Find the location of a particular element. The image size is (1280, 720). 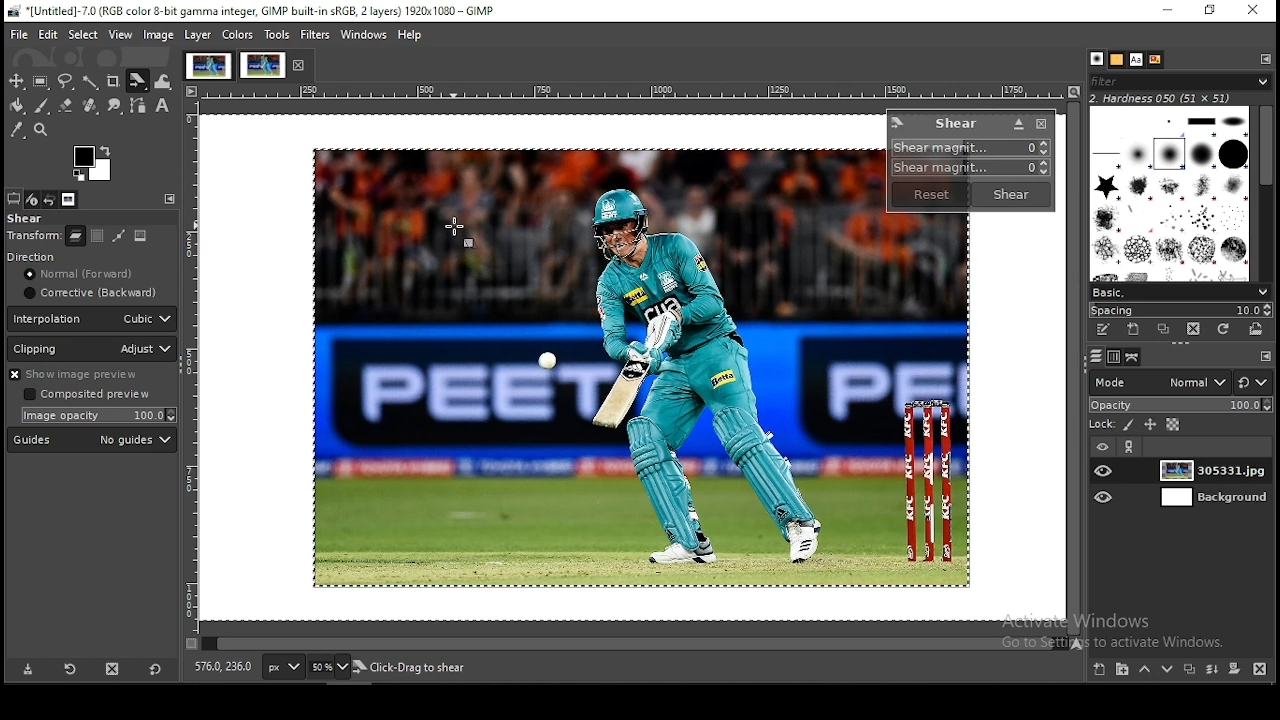

layer visibility on/off is located at coordinates (1105, 470).